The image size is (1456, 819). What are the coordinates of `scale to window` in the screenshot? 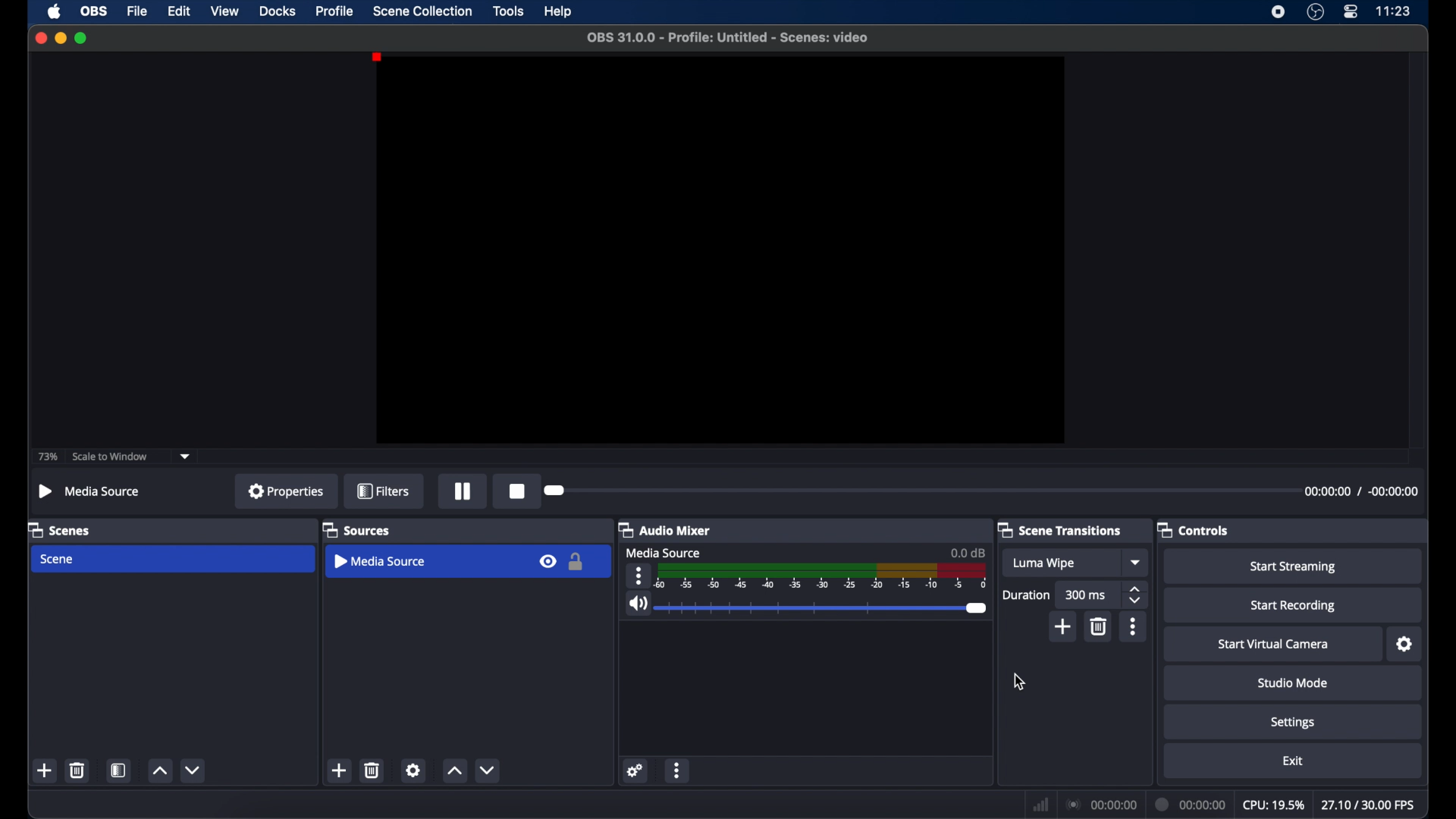 It's located at (111, 456).